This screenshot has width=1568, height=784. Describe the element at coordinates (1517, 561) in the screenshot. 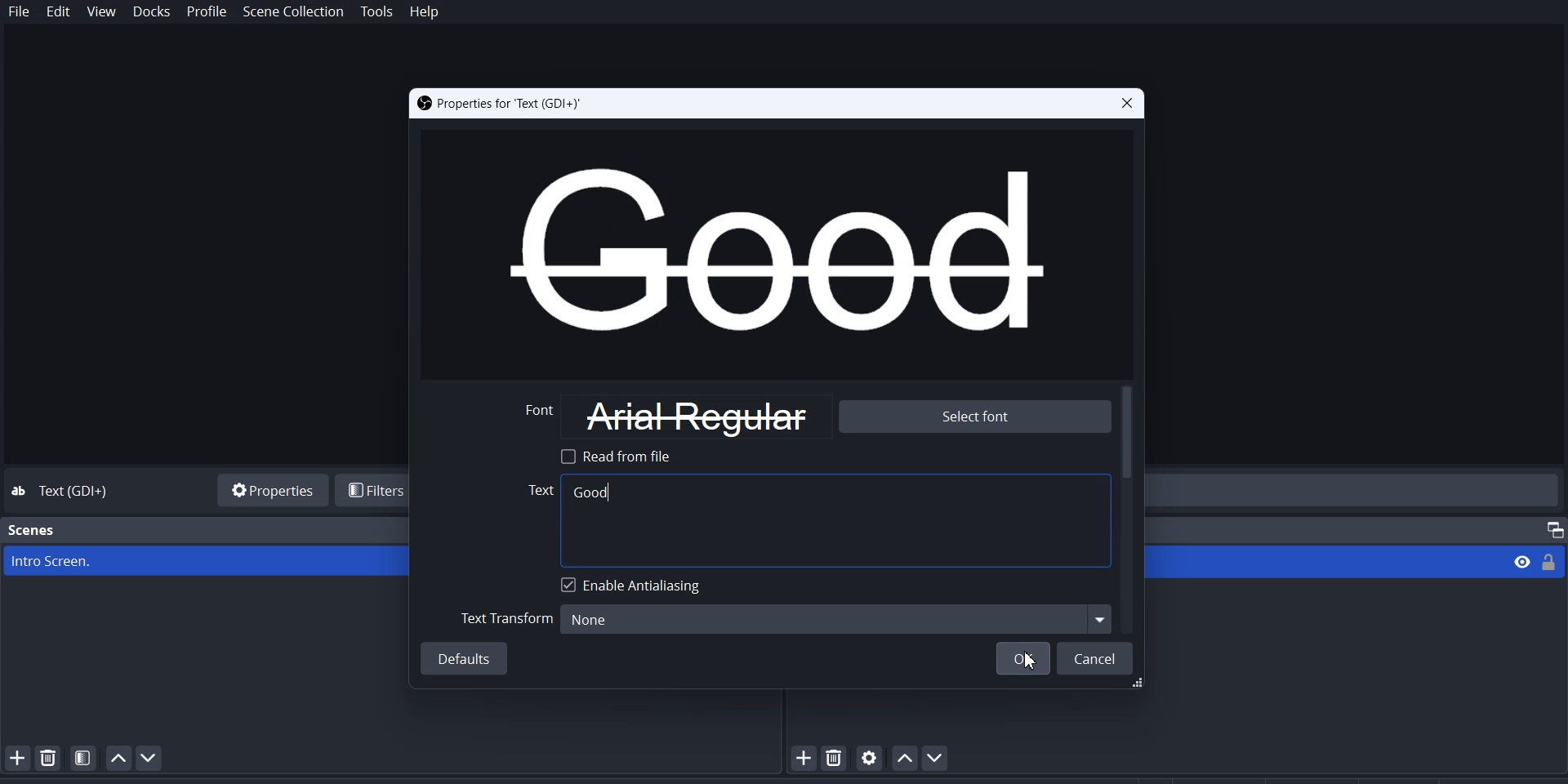

I see `View` at that location.